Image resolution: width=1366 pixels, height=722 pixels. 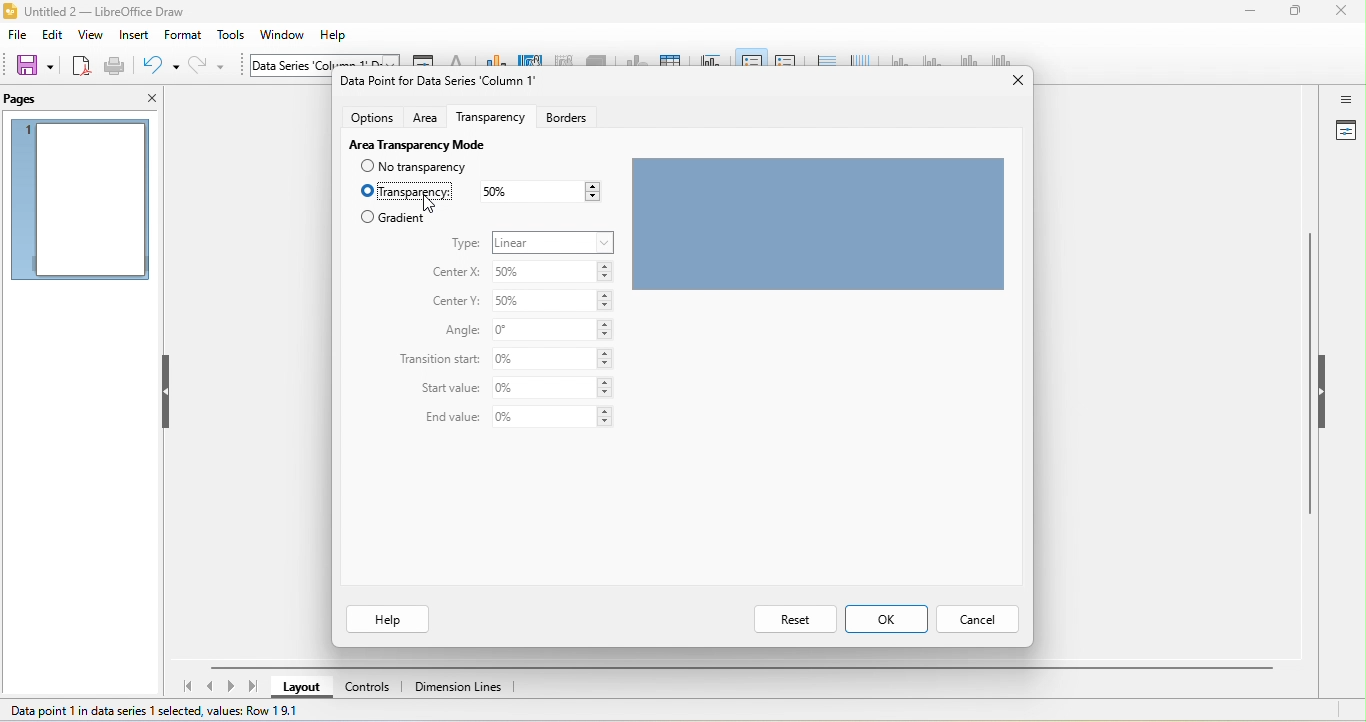 What do you see at coordinates (539, 190) in the screenshot?
I see `transparency-50%` at bounding box center [539, 190].